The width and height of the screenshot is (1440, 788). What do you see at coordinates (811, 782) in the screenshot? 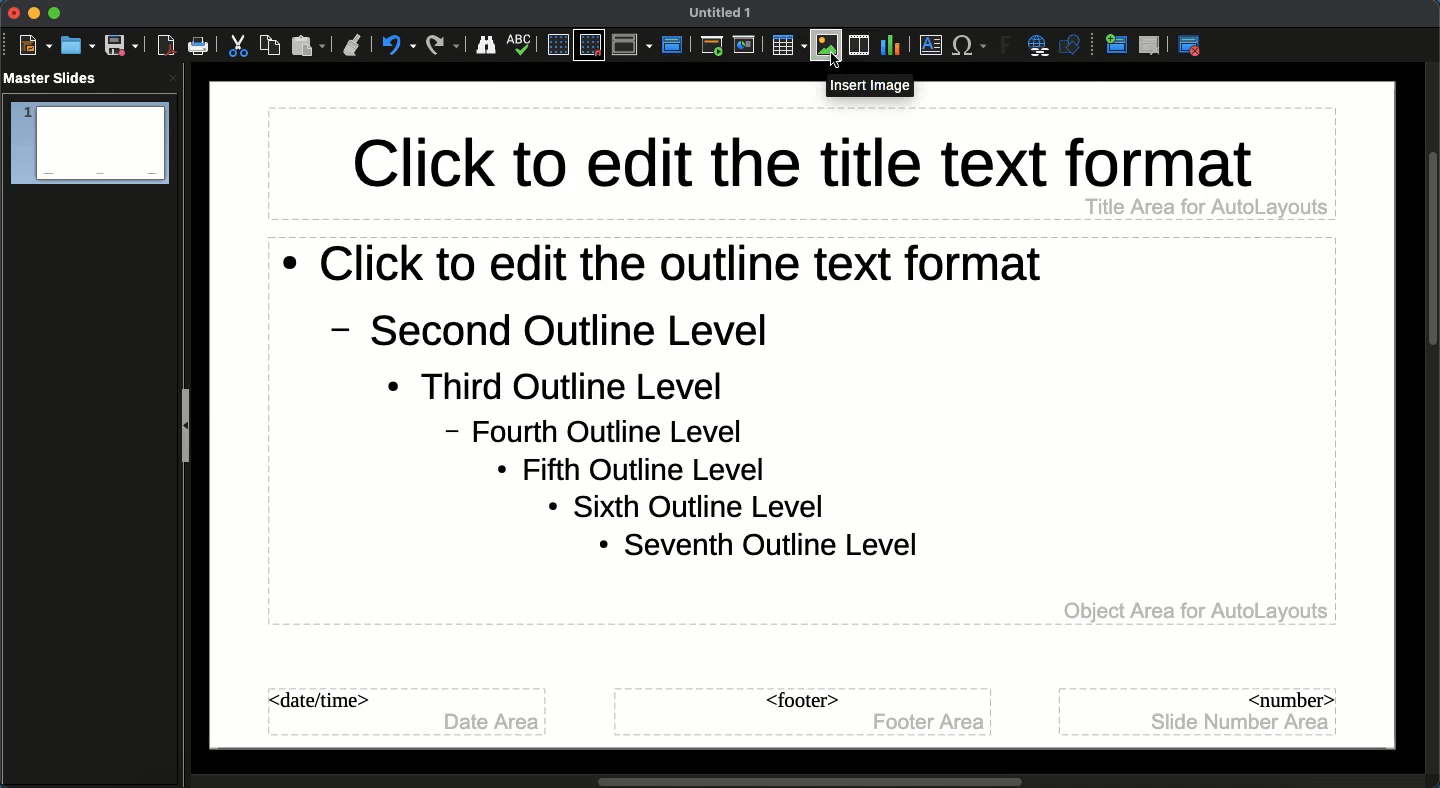
I see `Scroll bar` at bounding box center [811, 782].